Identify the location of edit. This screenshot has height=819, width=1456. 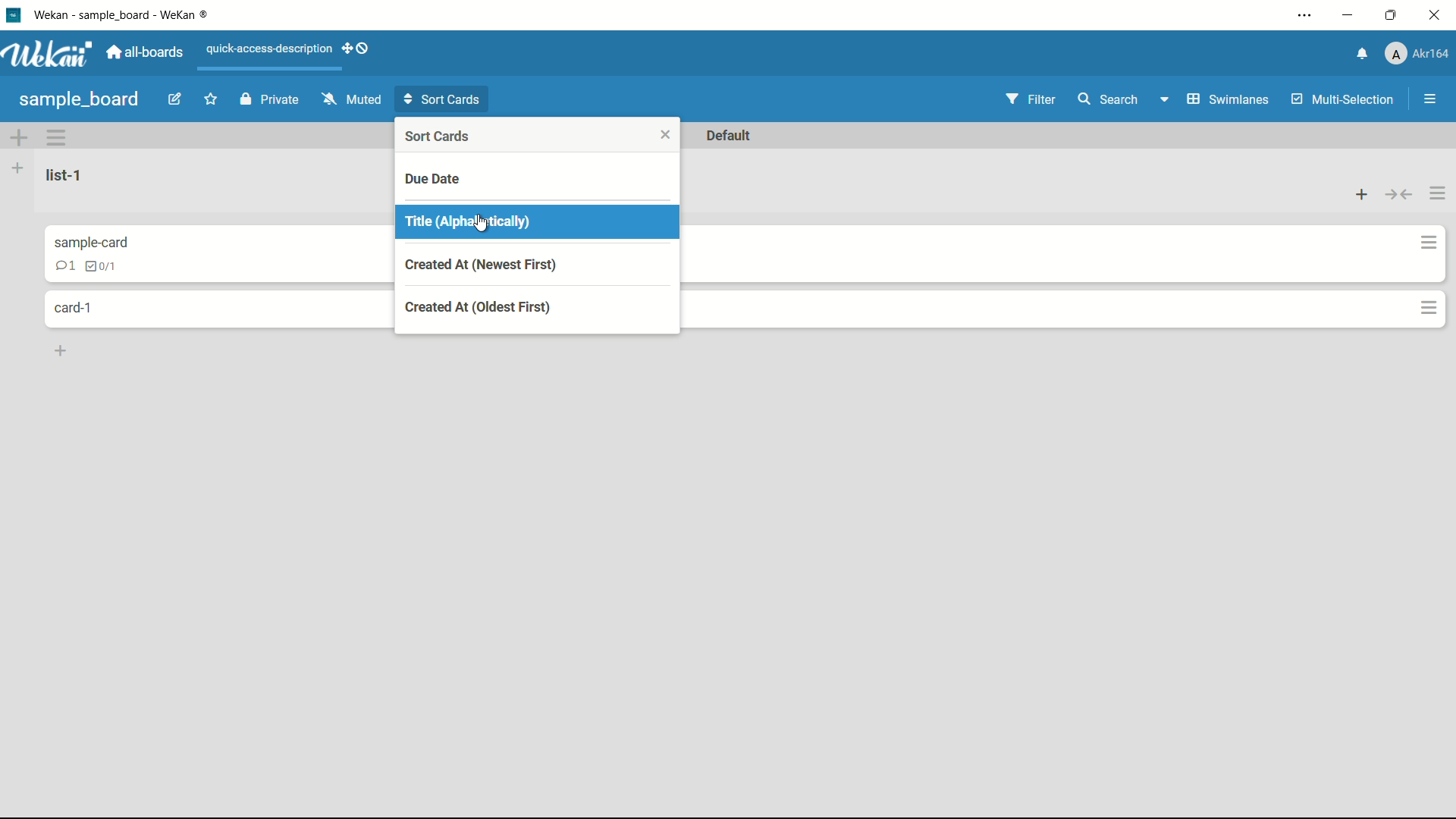
(174, 99).